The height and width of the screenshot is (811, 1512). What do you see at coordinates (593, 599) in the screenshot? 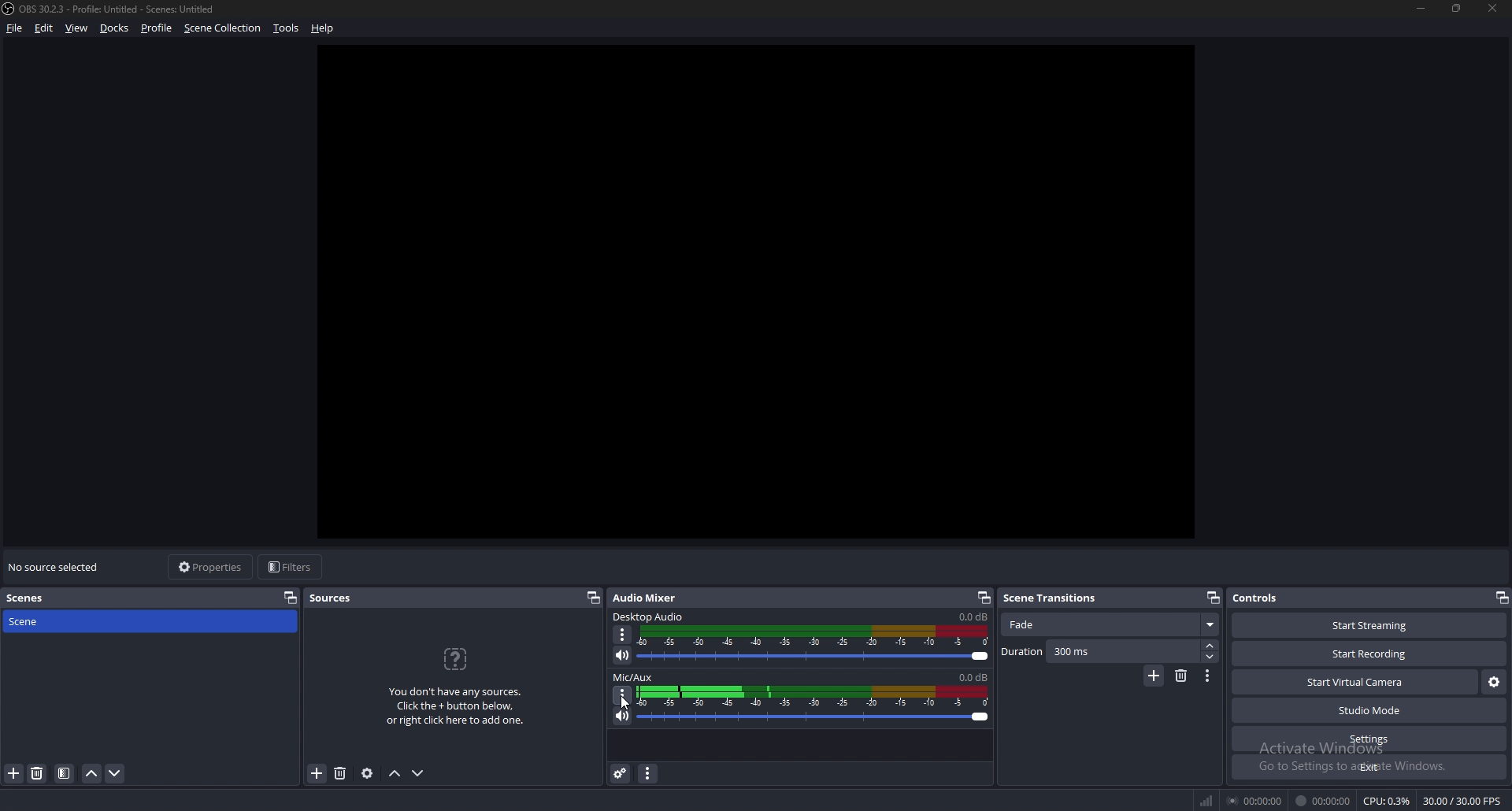
I see `pop out` at bounding box center [593, 599].